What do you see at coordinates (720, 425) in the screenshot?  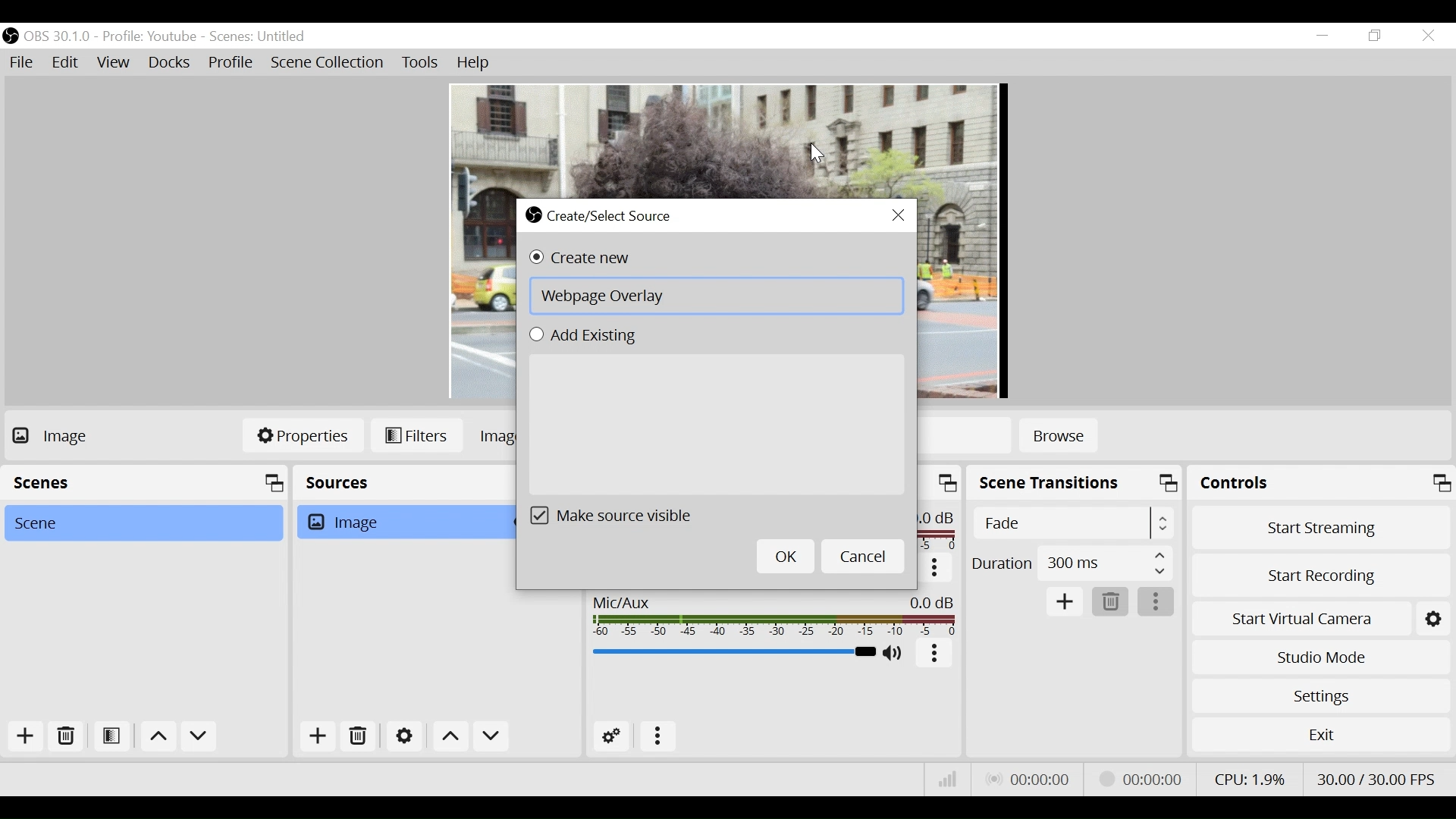 I see `Add Existing Field` at bounding box center [720, 425].